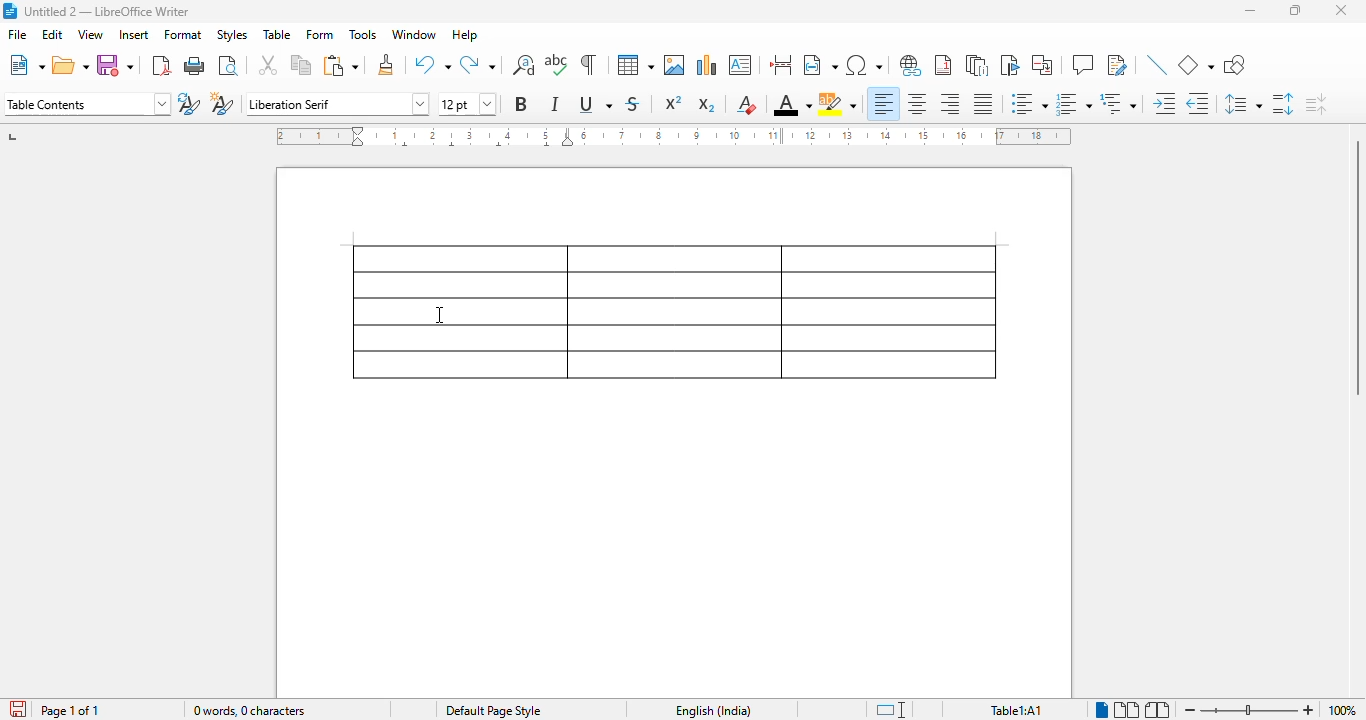 Image resolution: width=1366 pixels, height=720 pixels. I want to click on update new selection, so click(189, 103).